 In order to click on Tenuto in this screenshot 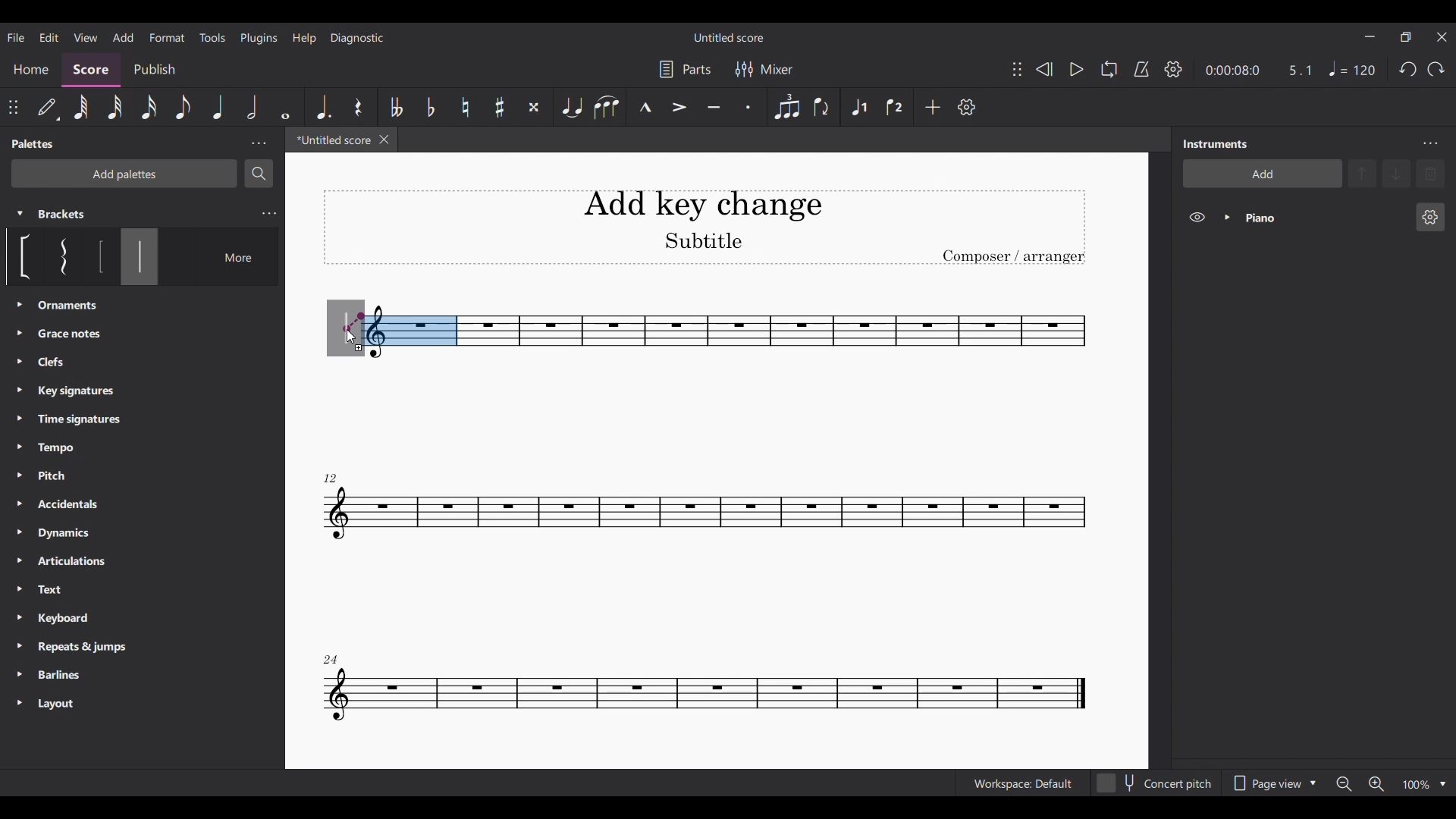, I will do `click(714, 107)`.